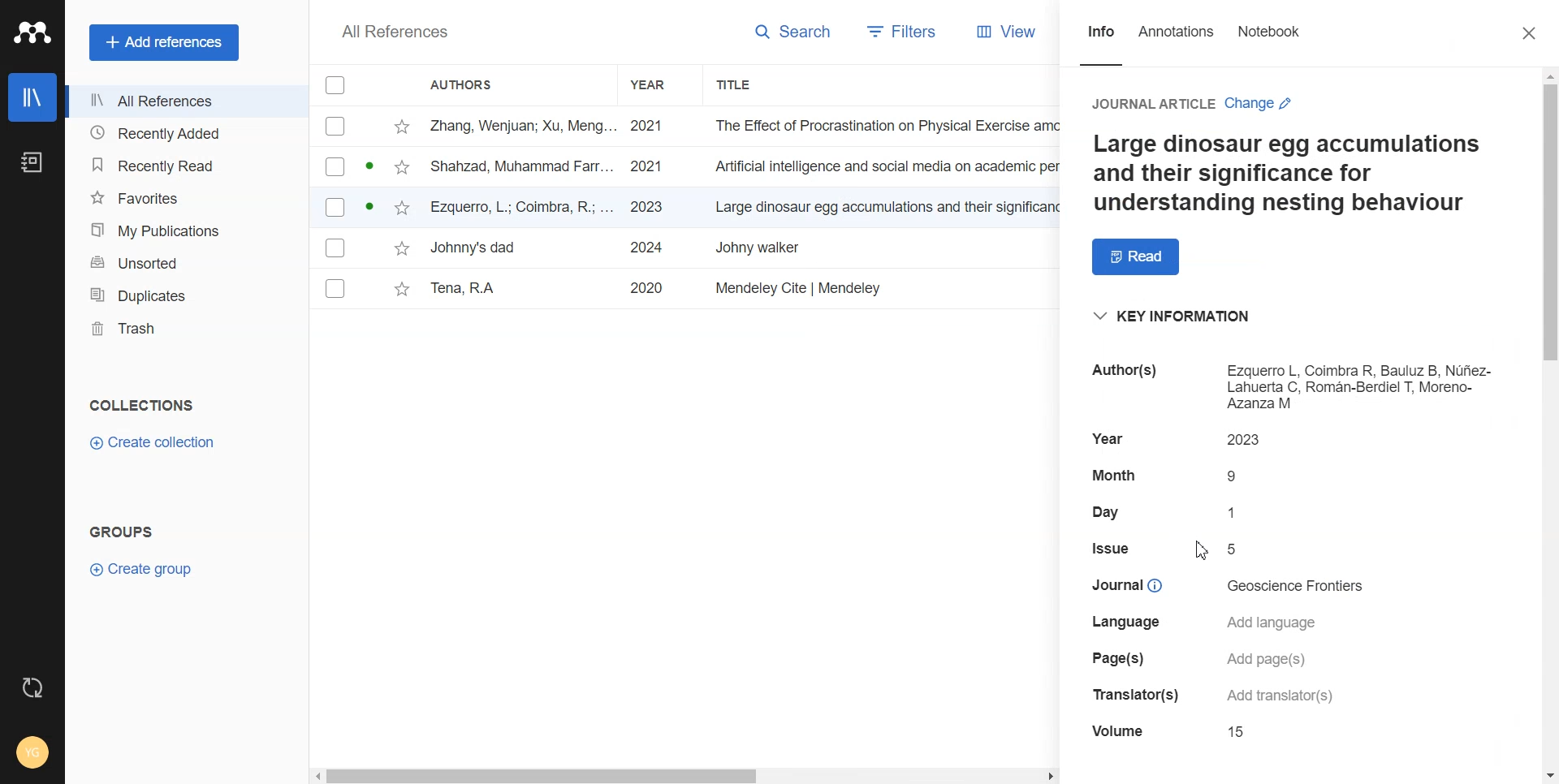 The width and height of the screenshot is (1559, 784). Describe the element at coordinates (185, 229) in the screenshot. I see `My Publication` at that location.